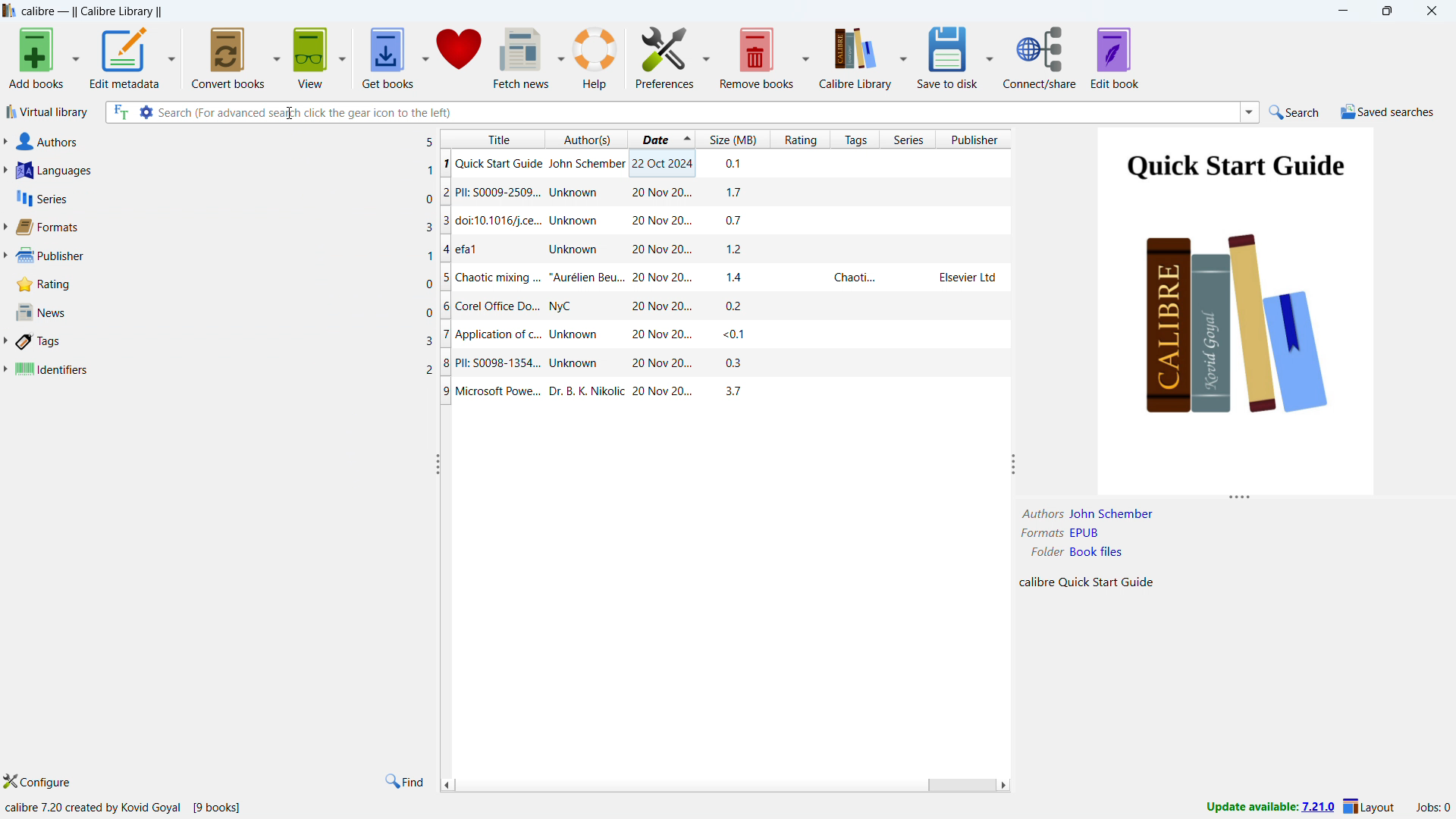  I want to click on formats, so click(224, 227).